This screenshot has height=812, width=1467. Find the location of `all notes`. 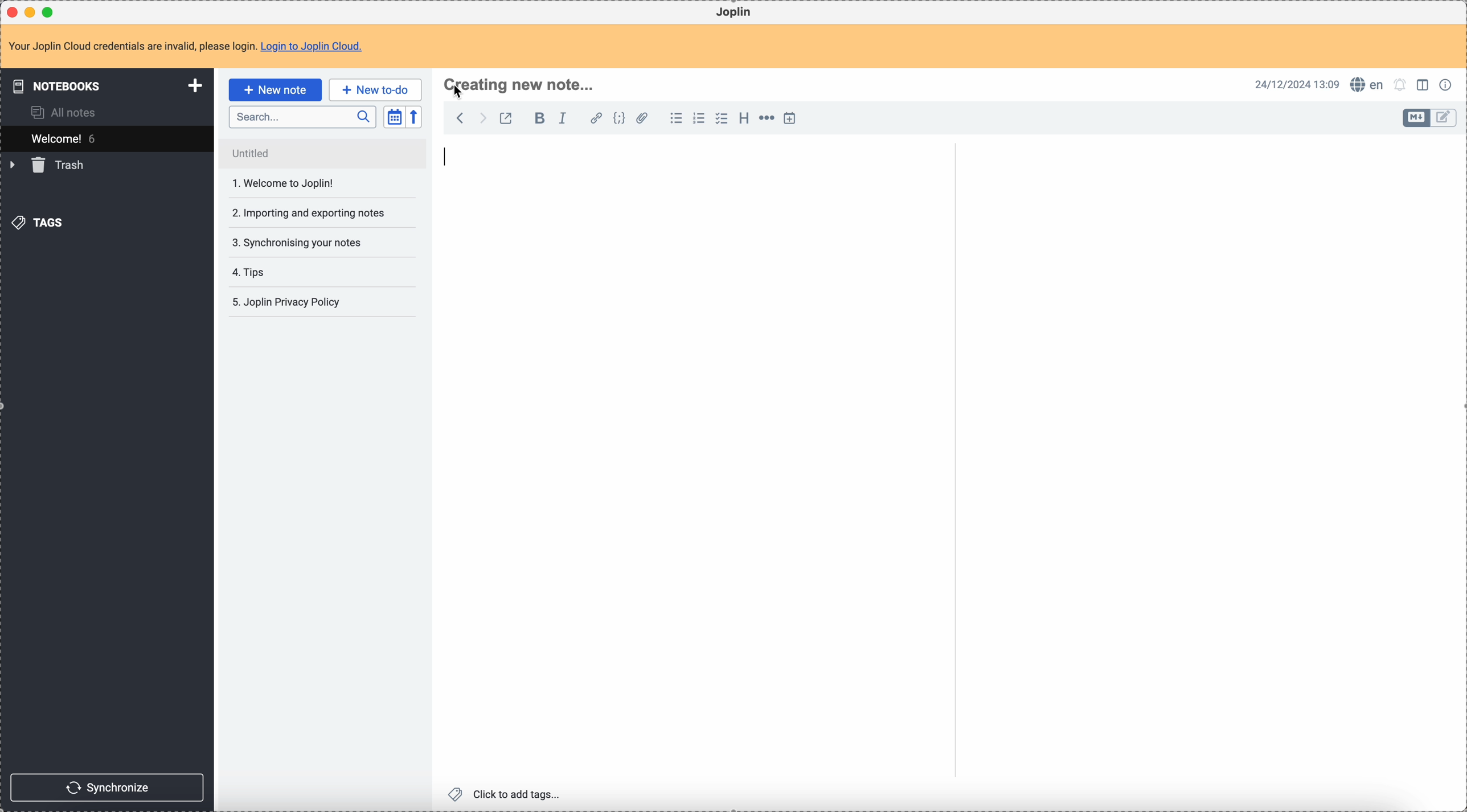

all notes is located at coordinates (67, 112).